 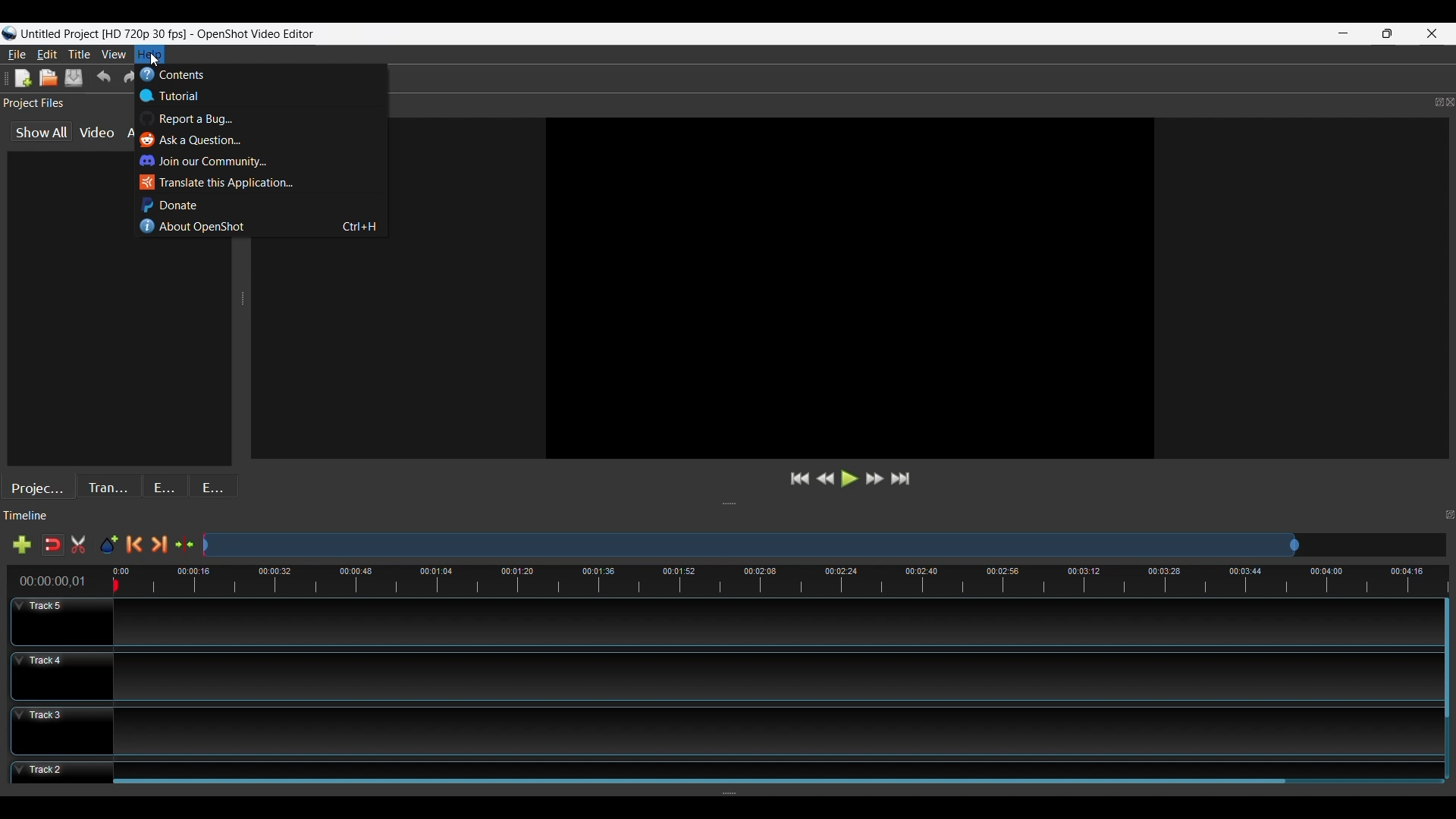 What do you see at coordinates (777, 764) in the screenshot?
I see `Track Panel` at bounding box center [777, 764].